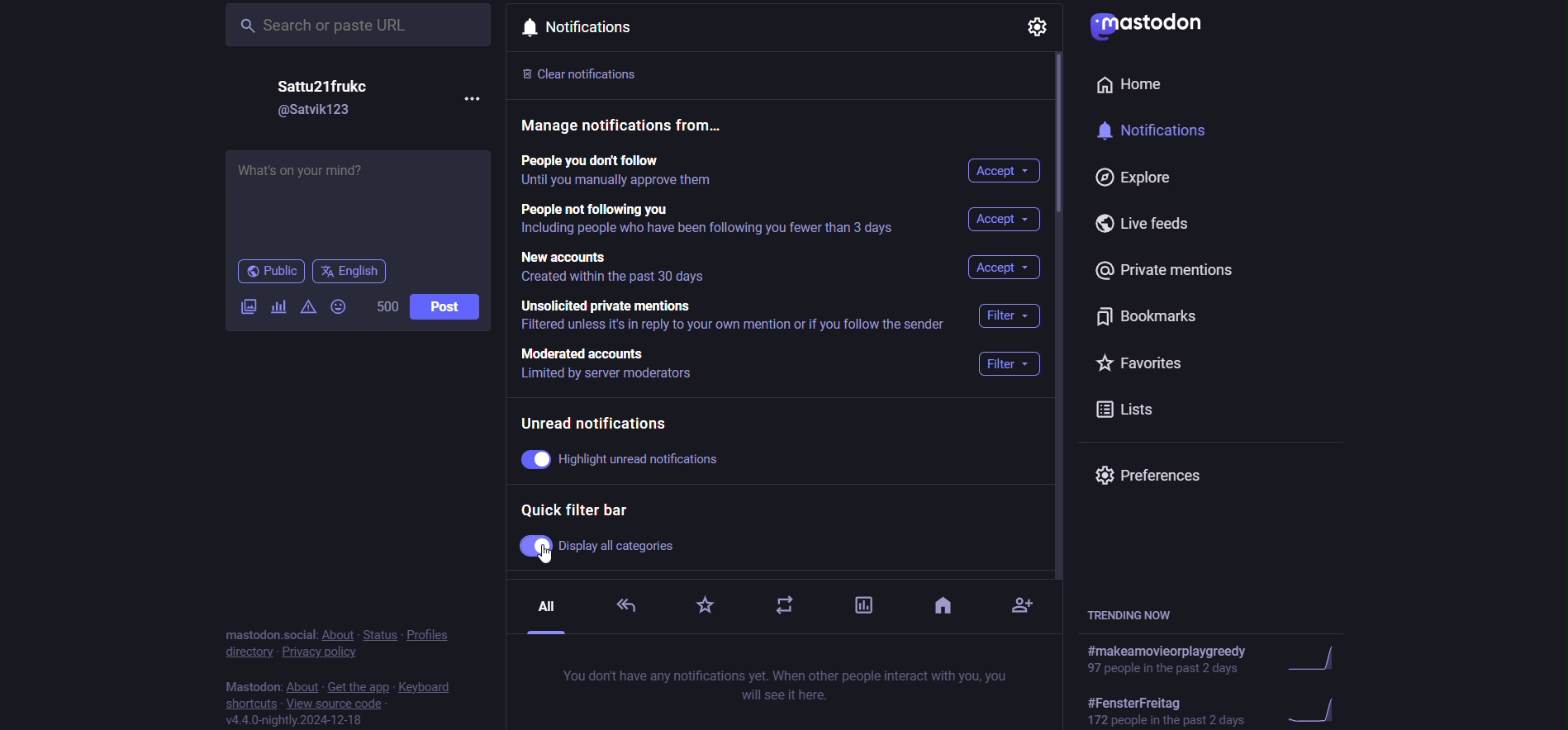 Image resolution: width=1568 pixels, height=730 pixels. I want to click on emoji, so click(338, 306).